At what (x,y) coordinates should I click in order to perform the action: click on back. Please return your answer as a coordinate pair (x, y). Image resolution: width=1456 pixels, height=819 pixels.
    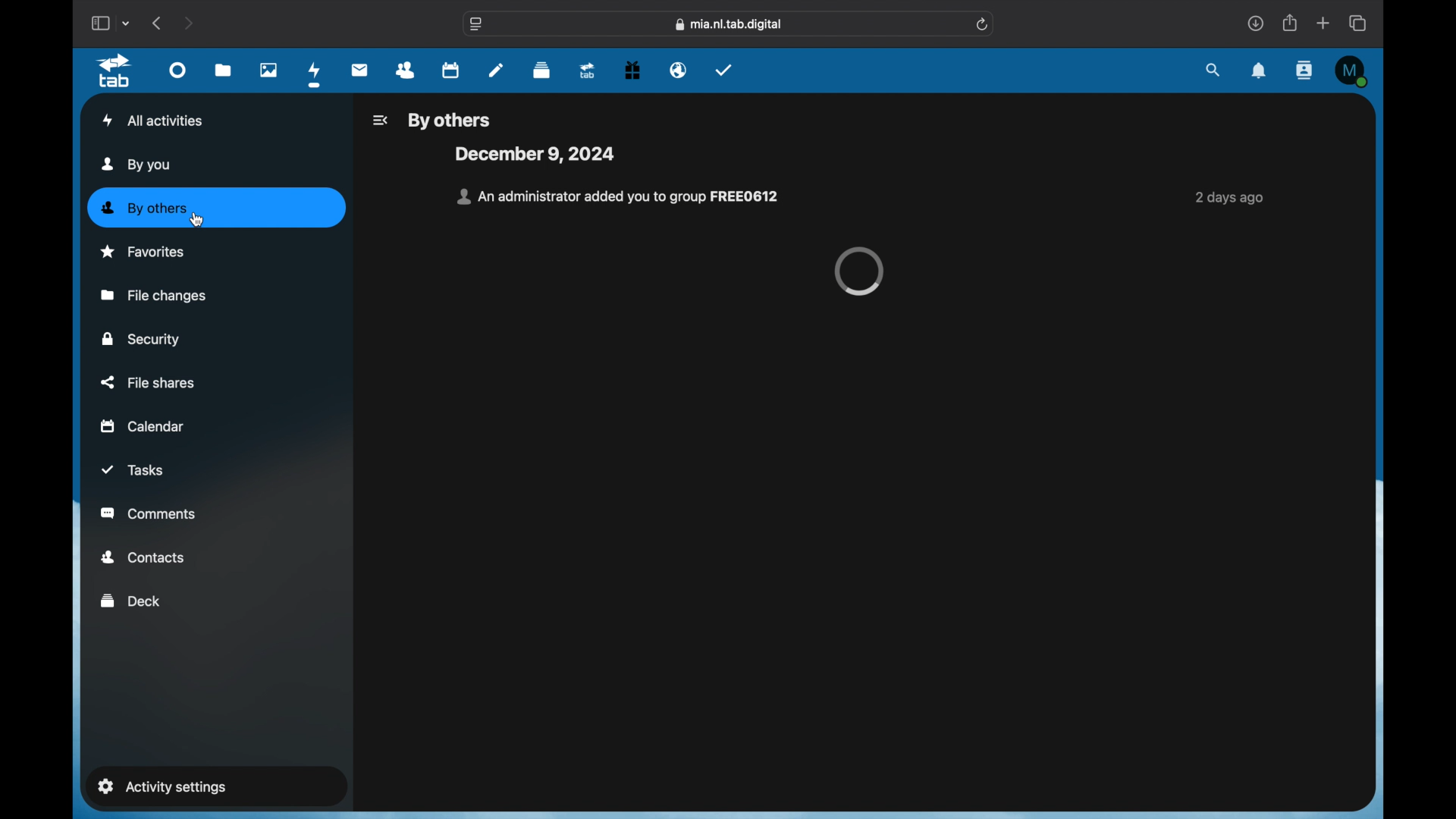
    Looking at the image, I should click on (158, 23).